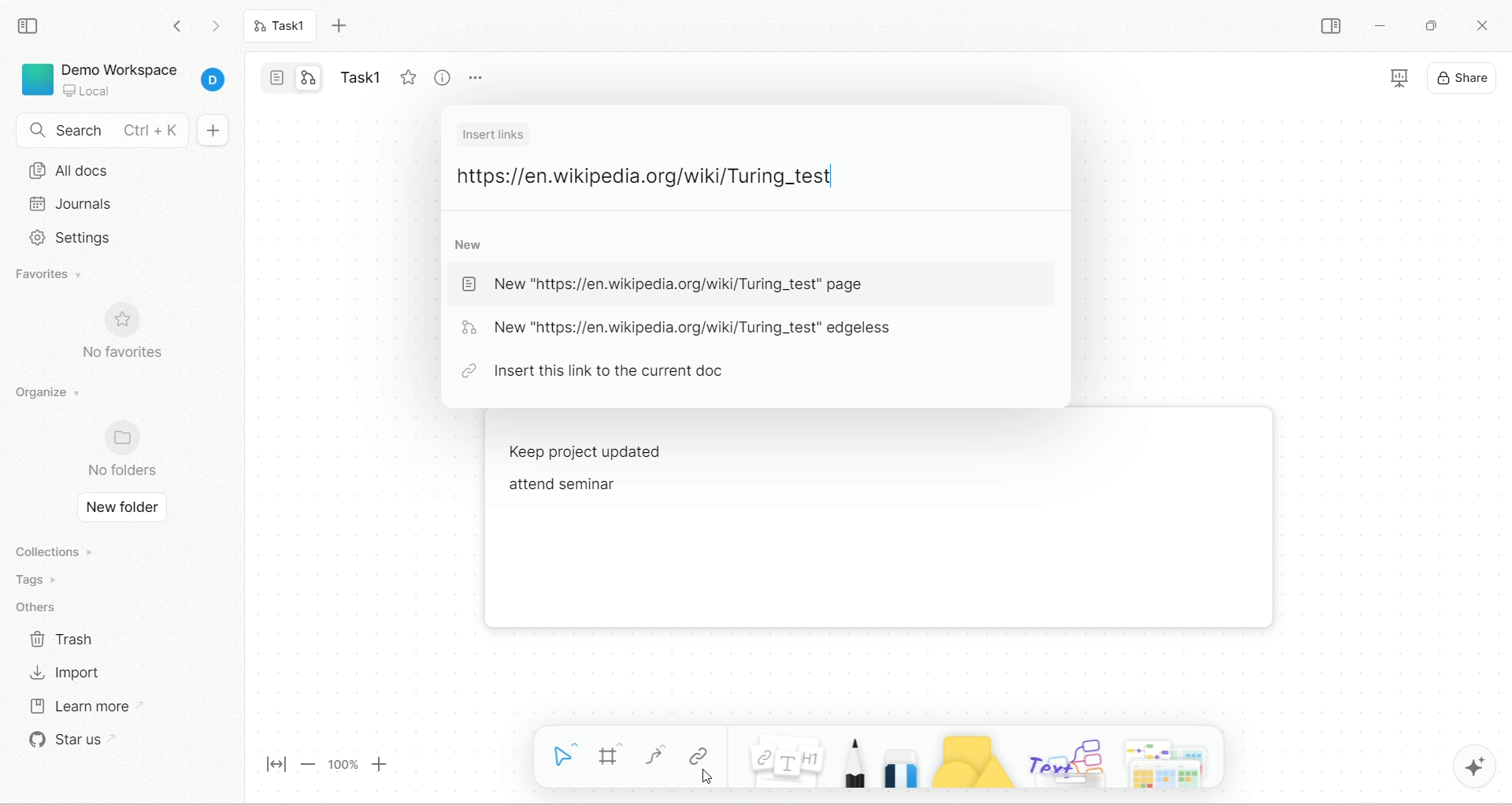 The image size is (1512, 805). I want to click on collections, so click(58, 551).